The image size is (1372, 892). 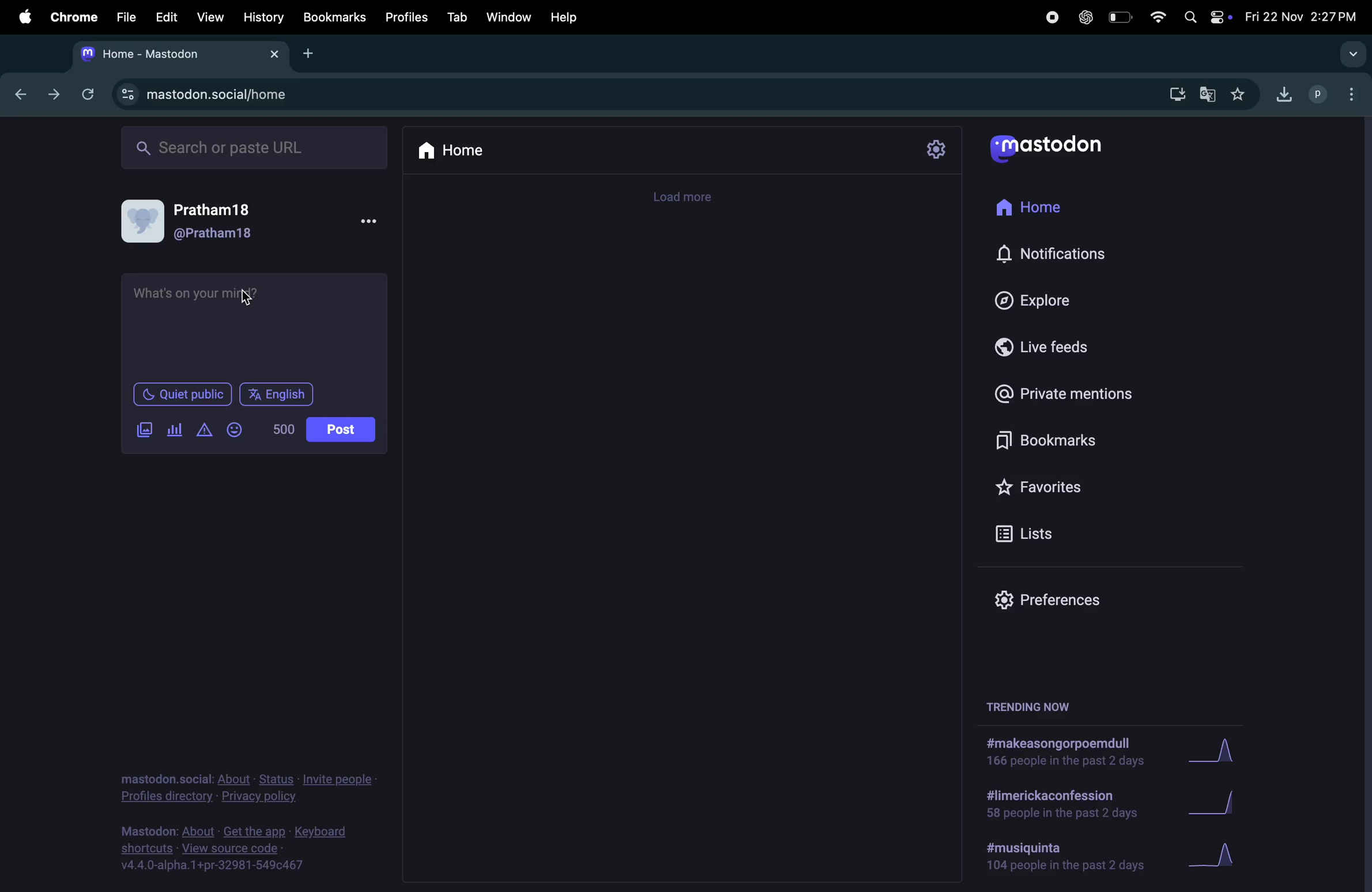 What do you see at coordinates (18, 94) in the screenshot?
I see `back` at bounding box center [18, 94].